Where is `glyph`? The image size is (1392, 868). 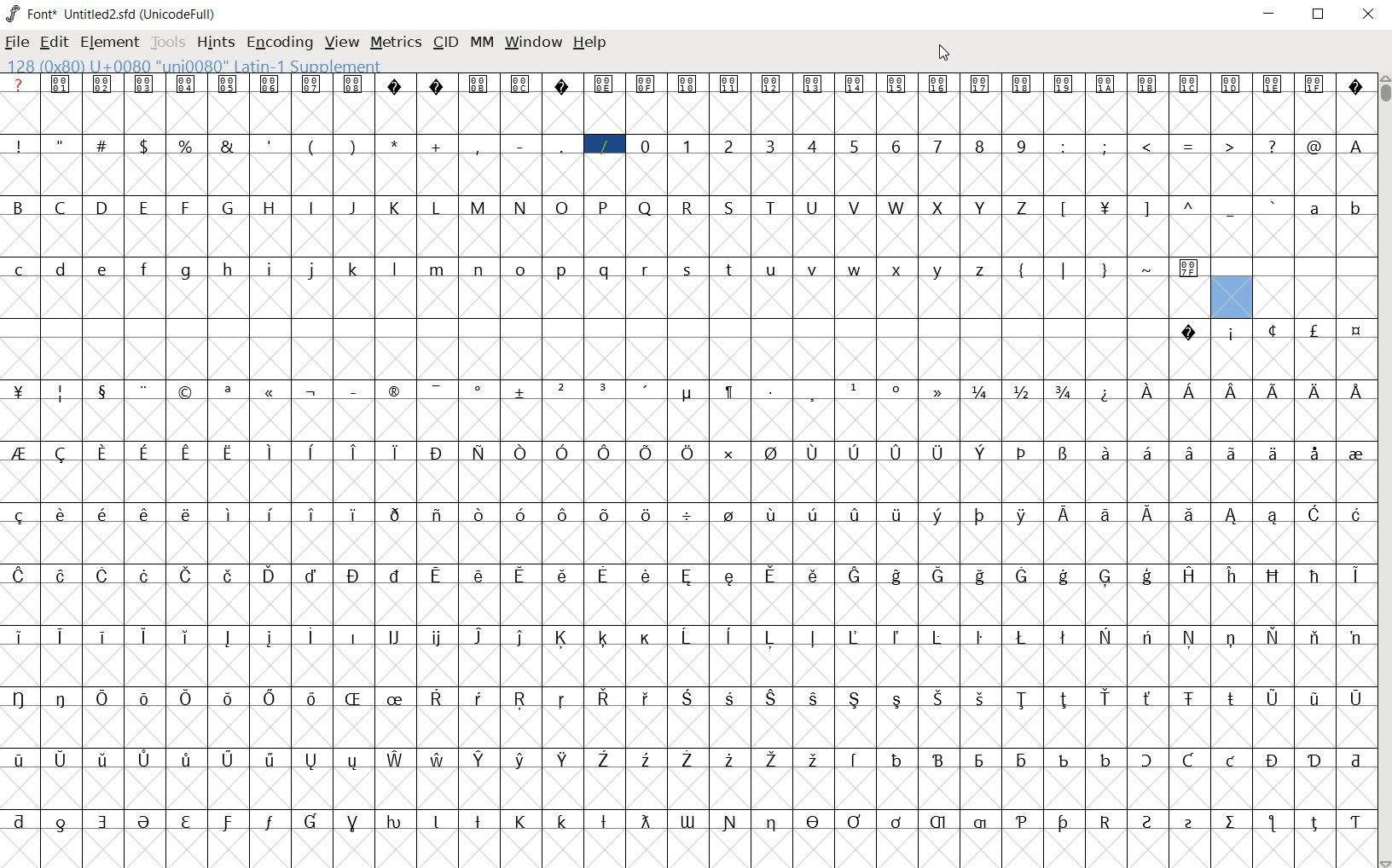
glyph is located at coordinates (645, 146).